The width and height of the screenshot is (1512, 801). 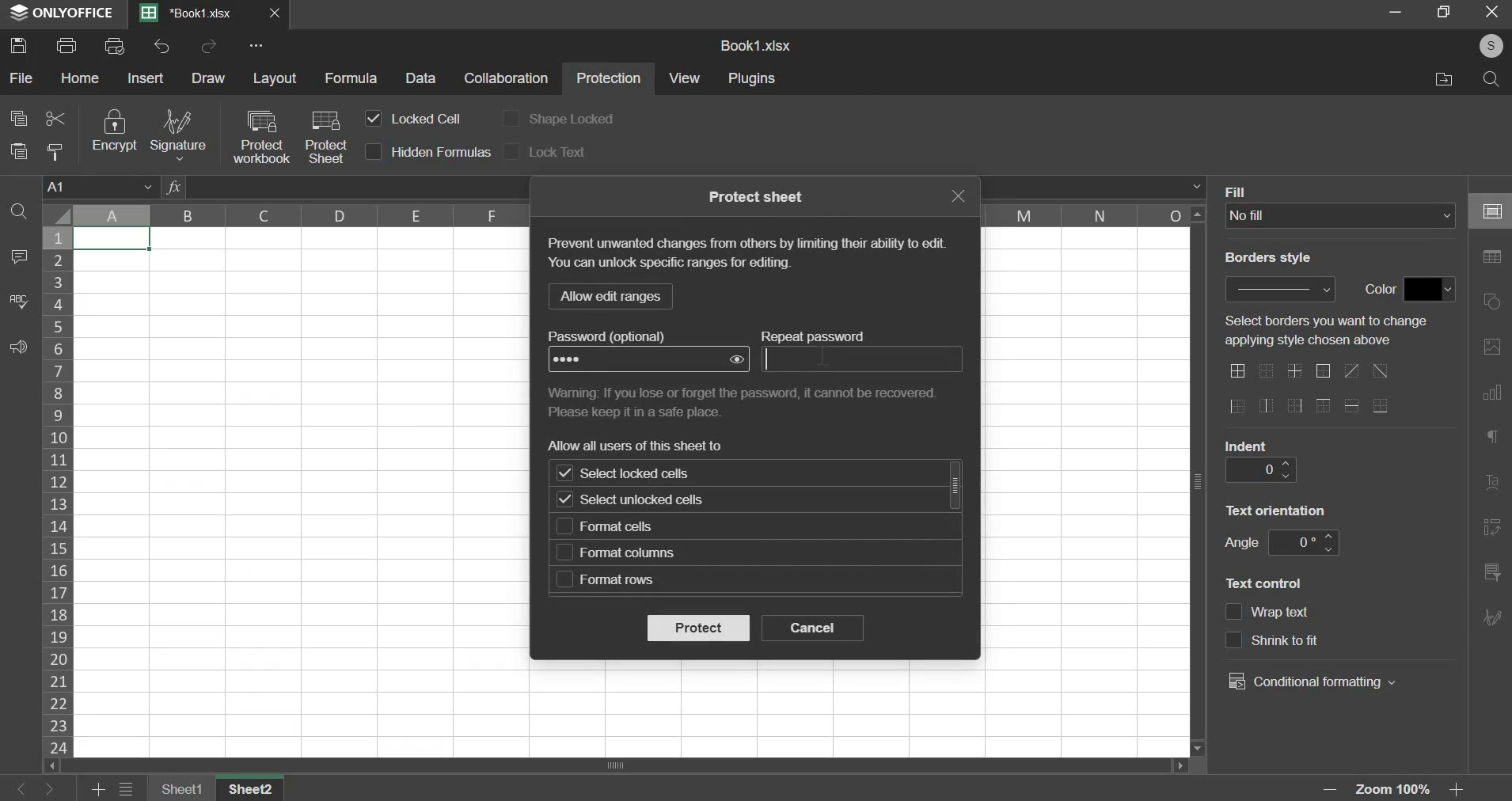 What do you see at coordinates (59, 13) in the screenshot?
I see `ONLYOFFICE` at bounding box center [59, 13].